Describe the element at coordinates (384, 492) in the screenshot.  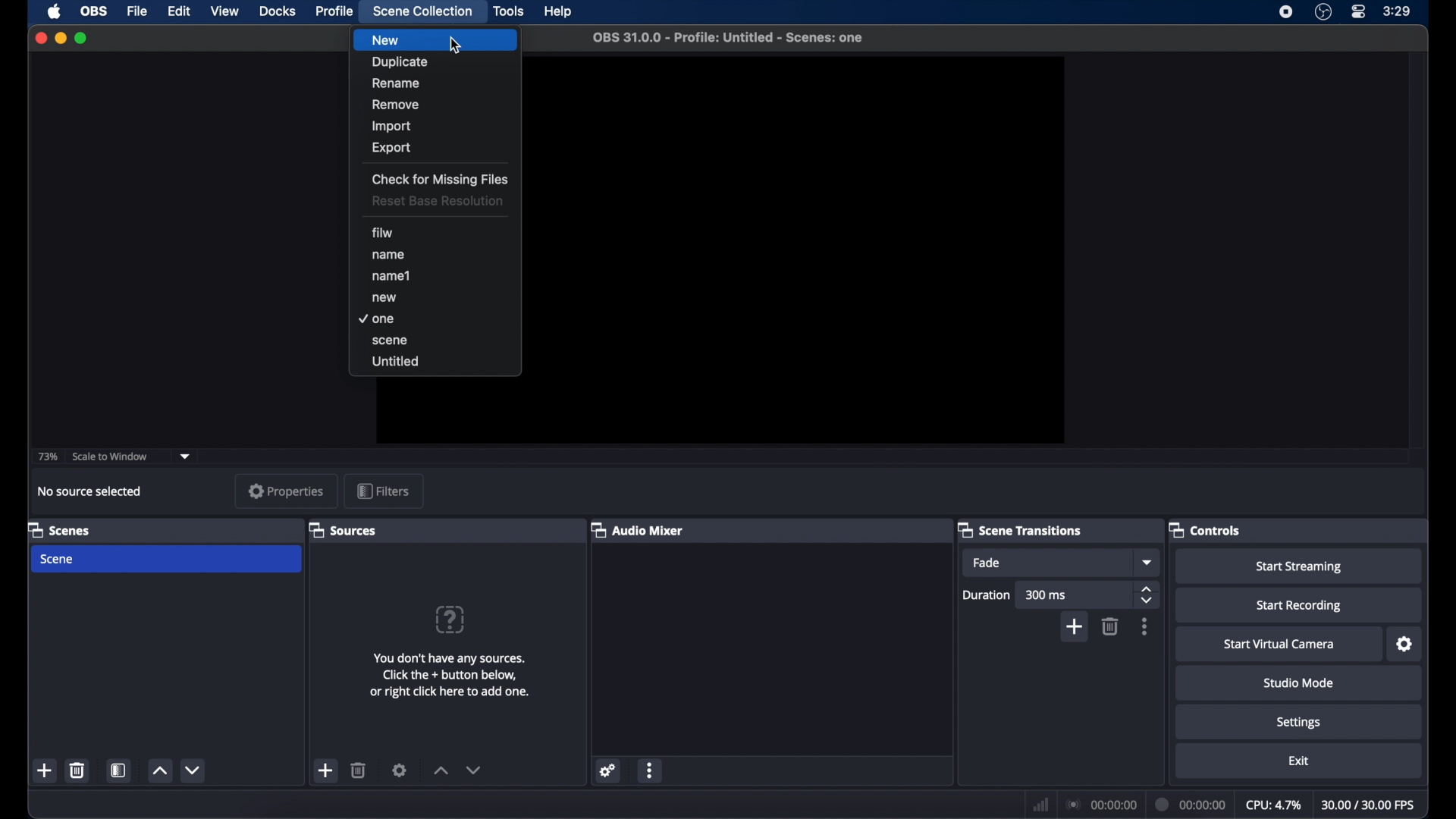
I see `filters` at that location.